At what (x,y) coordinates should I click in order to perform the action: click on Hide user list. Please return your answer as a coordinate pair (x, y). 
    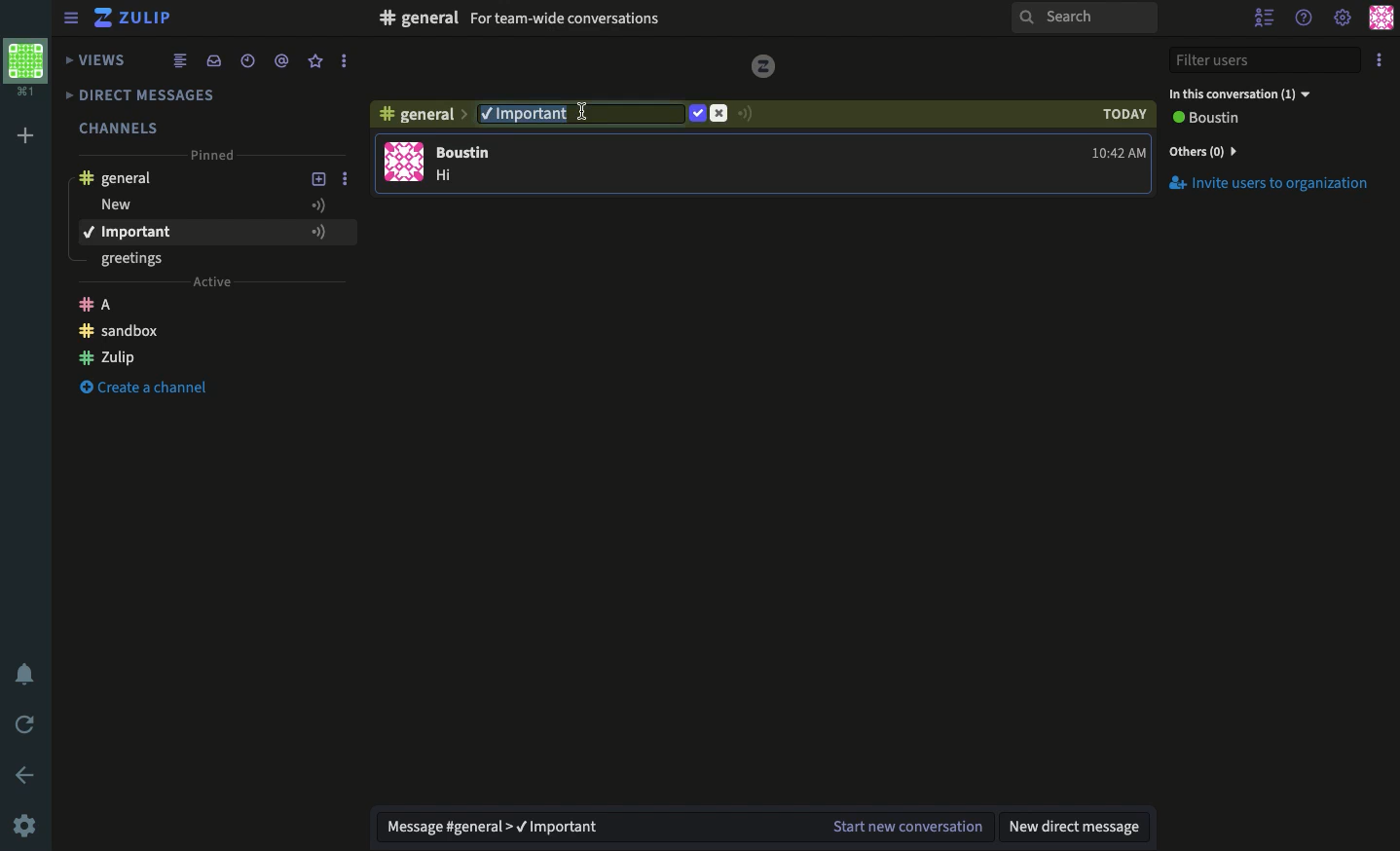
    Looking at the image, I should click on (1264, 18).